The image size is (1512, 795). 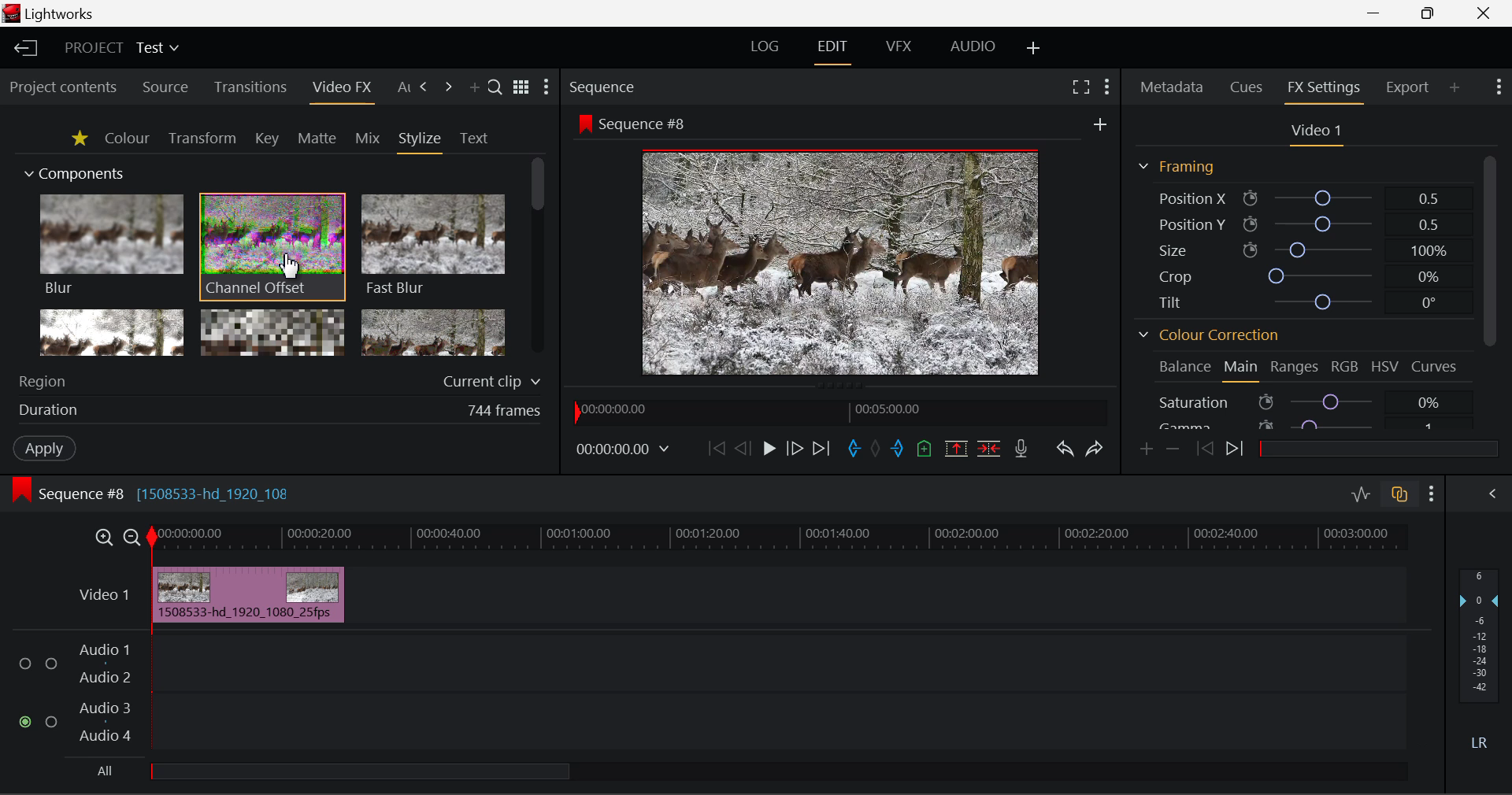 I want to click on HSV, so click(x=1384, y=366).